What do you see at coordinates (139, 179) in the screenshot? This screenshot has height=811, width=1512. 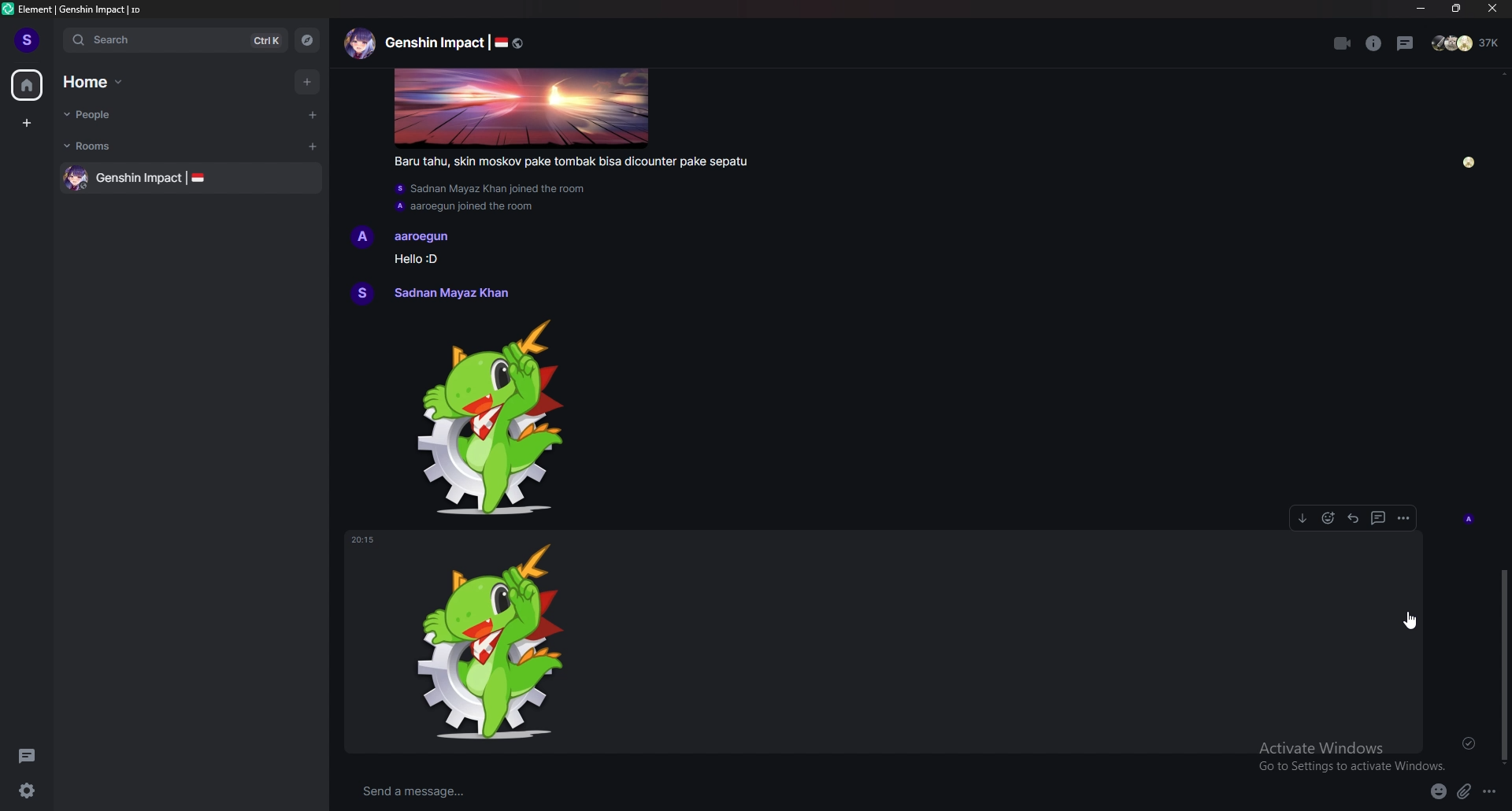 I see `Genshin Impact` at bounding box center [139, 179].